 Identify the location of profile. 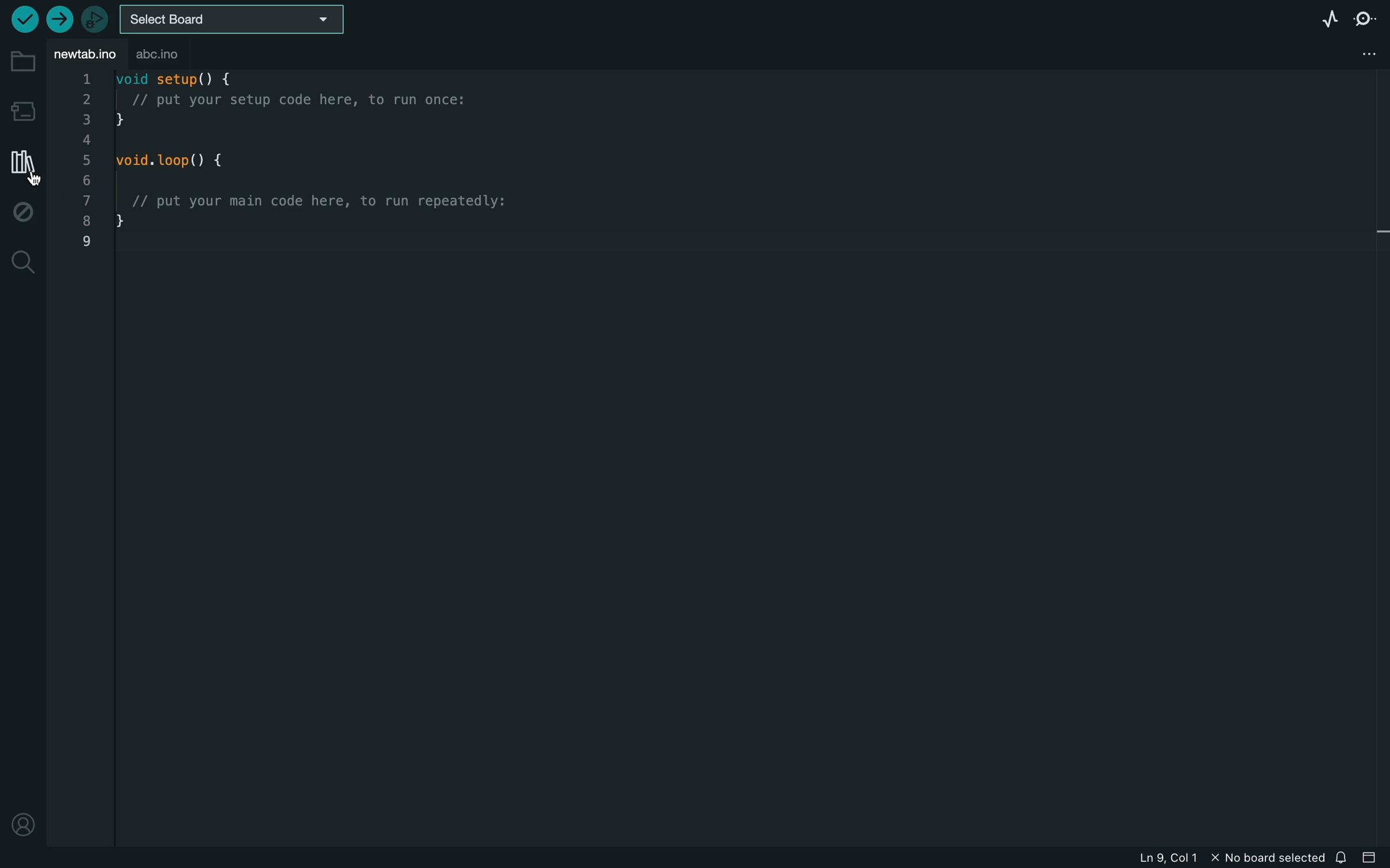
(23, 827).